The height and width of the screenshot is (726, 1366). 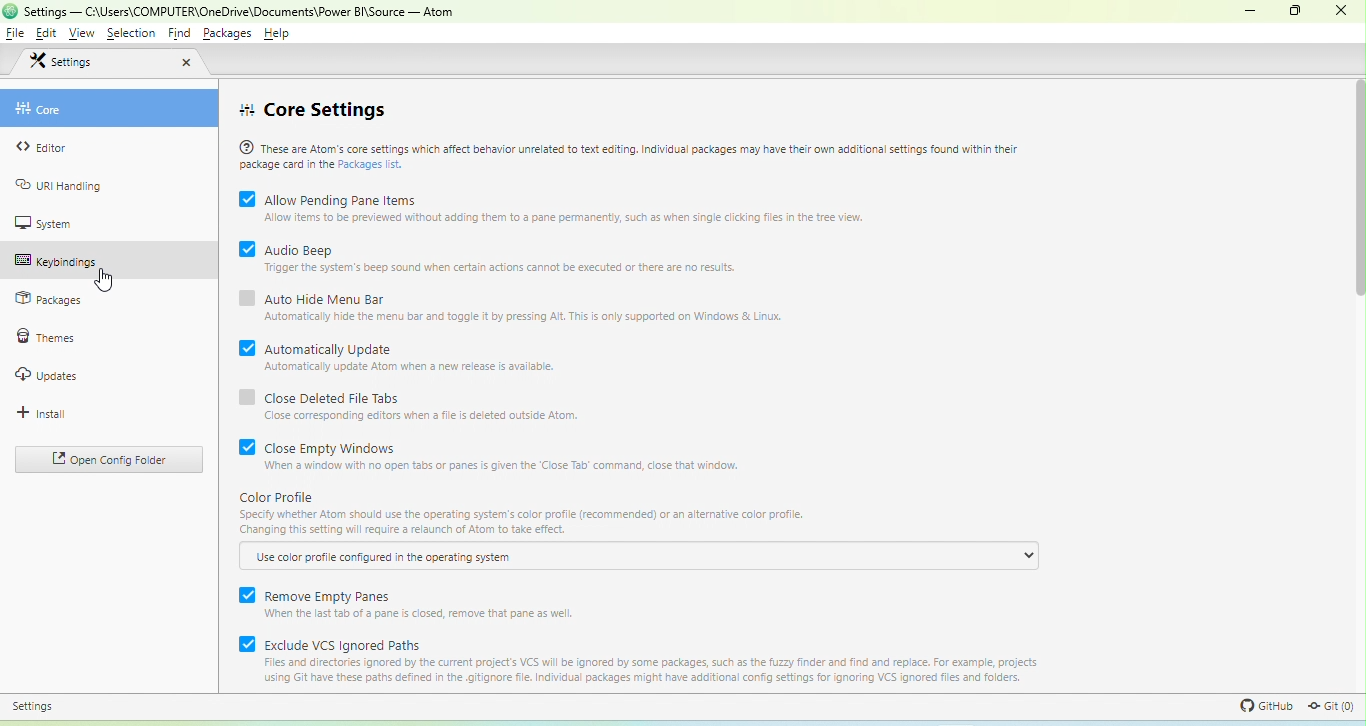 What do you see at coordinates (179, 33) in the screenshot?
I see `find menu` at bounding box center [179, 33].